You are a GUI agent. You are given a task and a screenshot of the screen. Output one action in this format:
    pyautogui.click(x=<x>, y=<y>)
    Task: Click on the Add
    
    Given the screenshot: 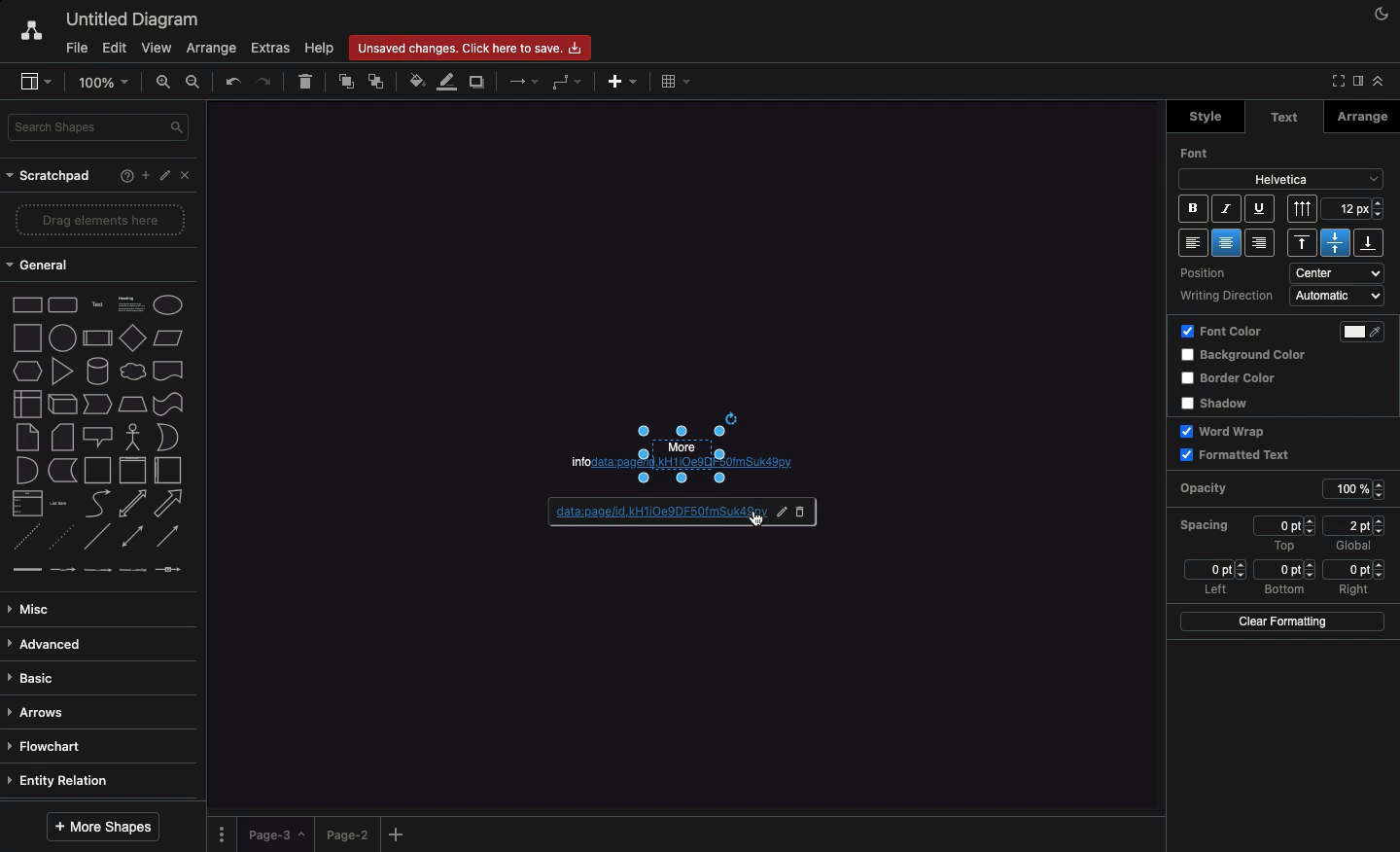 What is the action you would take?
    pyautogui.click(x=623, y=82)
    